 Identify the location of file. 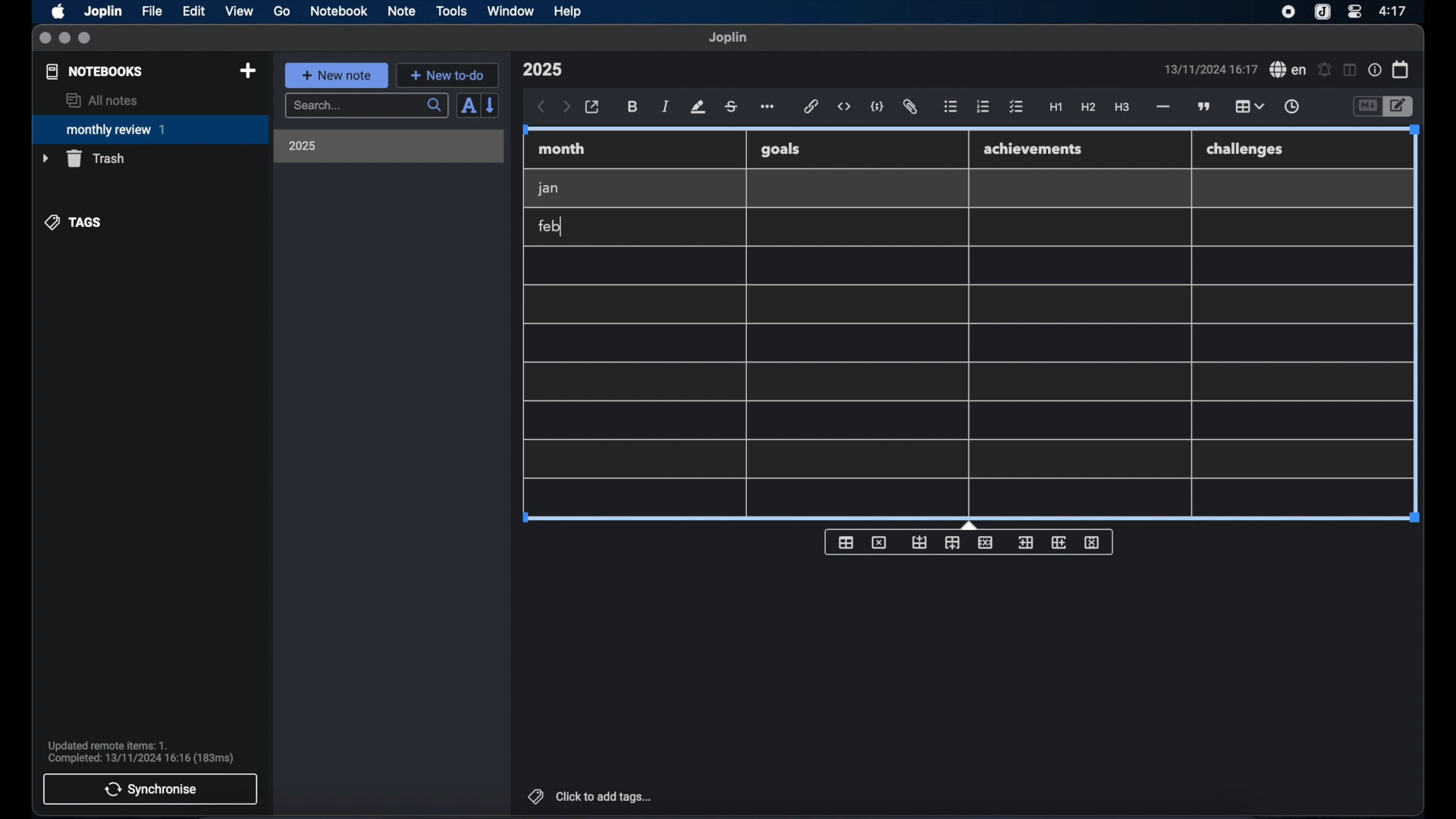
(152, 11).